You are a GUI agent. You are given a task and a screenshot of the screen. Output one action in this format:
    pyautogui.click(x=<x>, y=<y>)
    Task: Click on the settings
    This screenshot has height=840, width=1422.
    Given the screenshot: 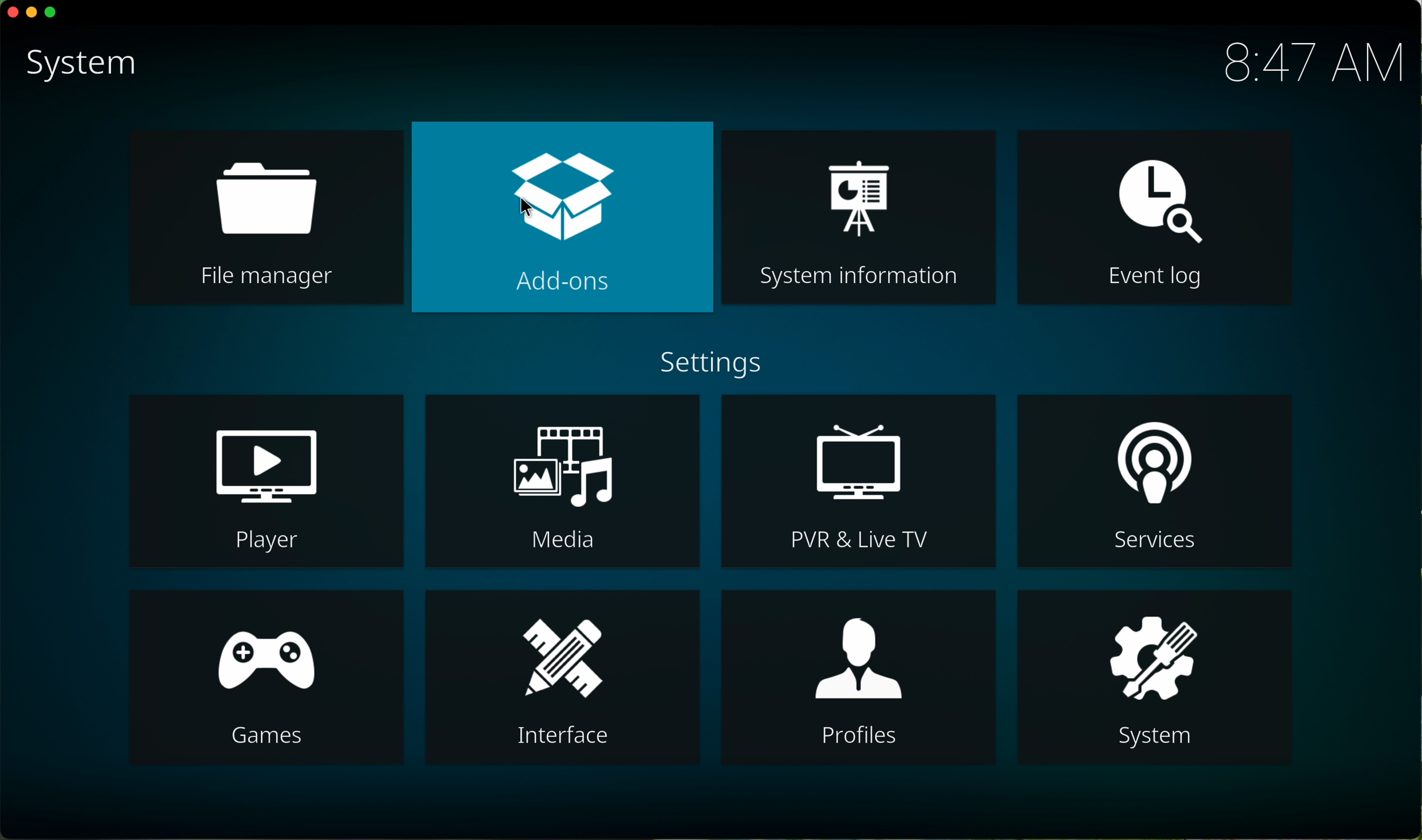 What is the action you would take?
    pyautogui.click(x=711, y=363)
    